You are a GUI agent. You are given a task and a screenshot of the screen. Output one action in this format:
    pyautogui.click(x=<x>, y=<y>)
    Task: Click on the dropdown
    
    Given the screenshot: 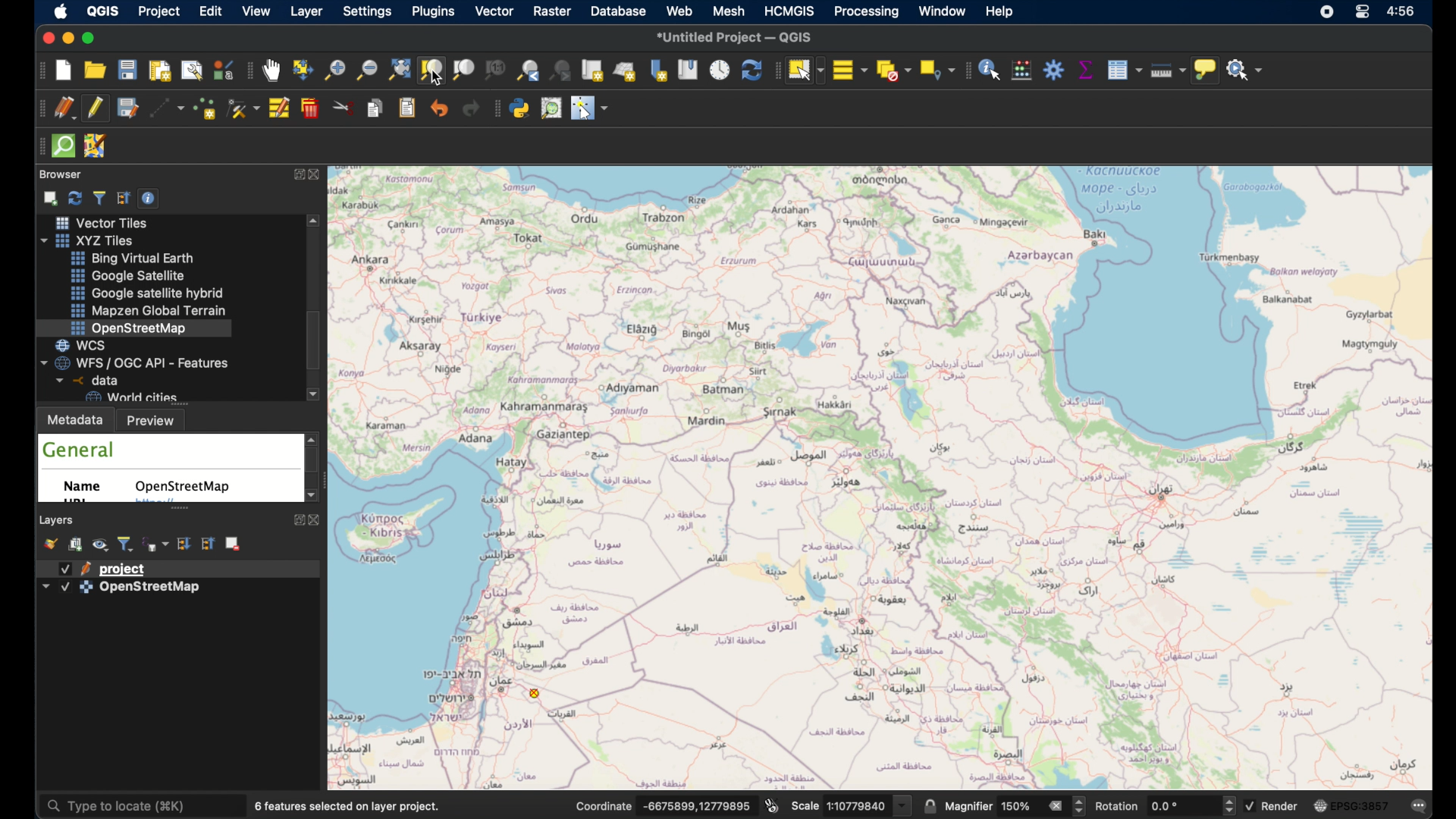 What is the action you would take?
    pyautogui.click(x=45, y=585)
    